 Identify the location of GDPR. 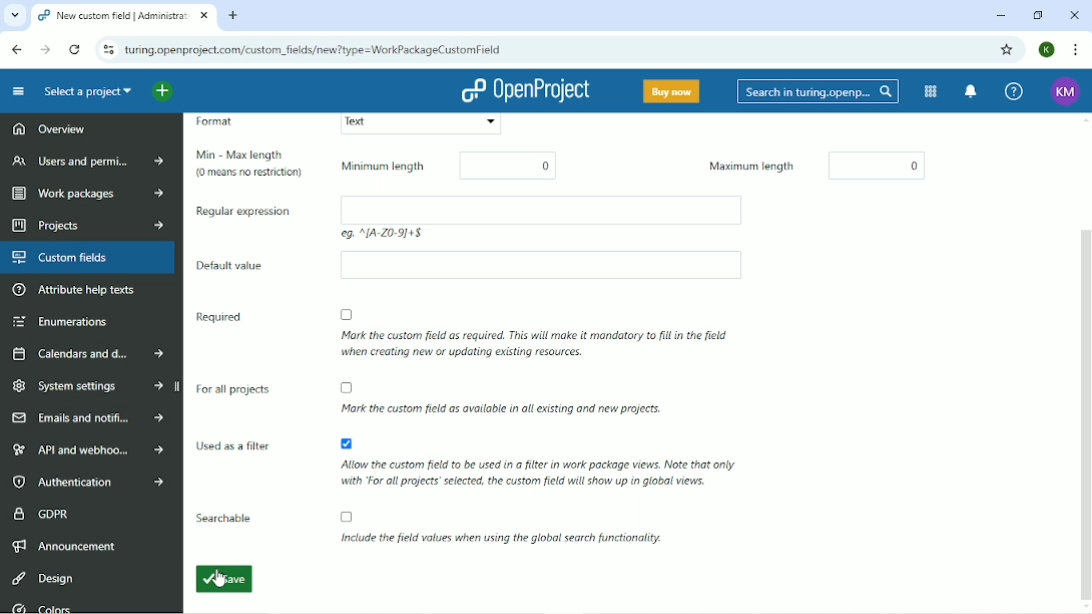
(42, 512).